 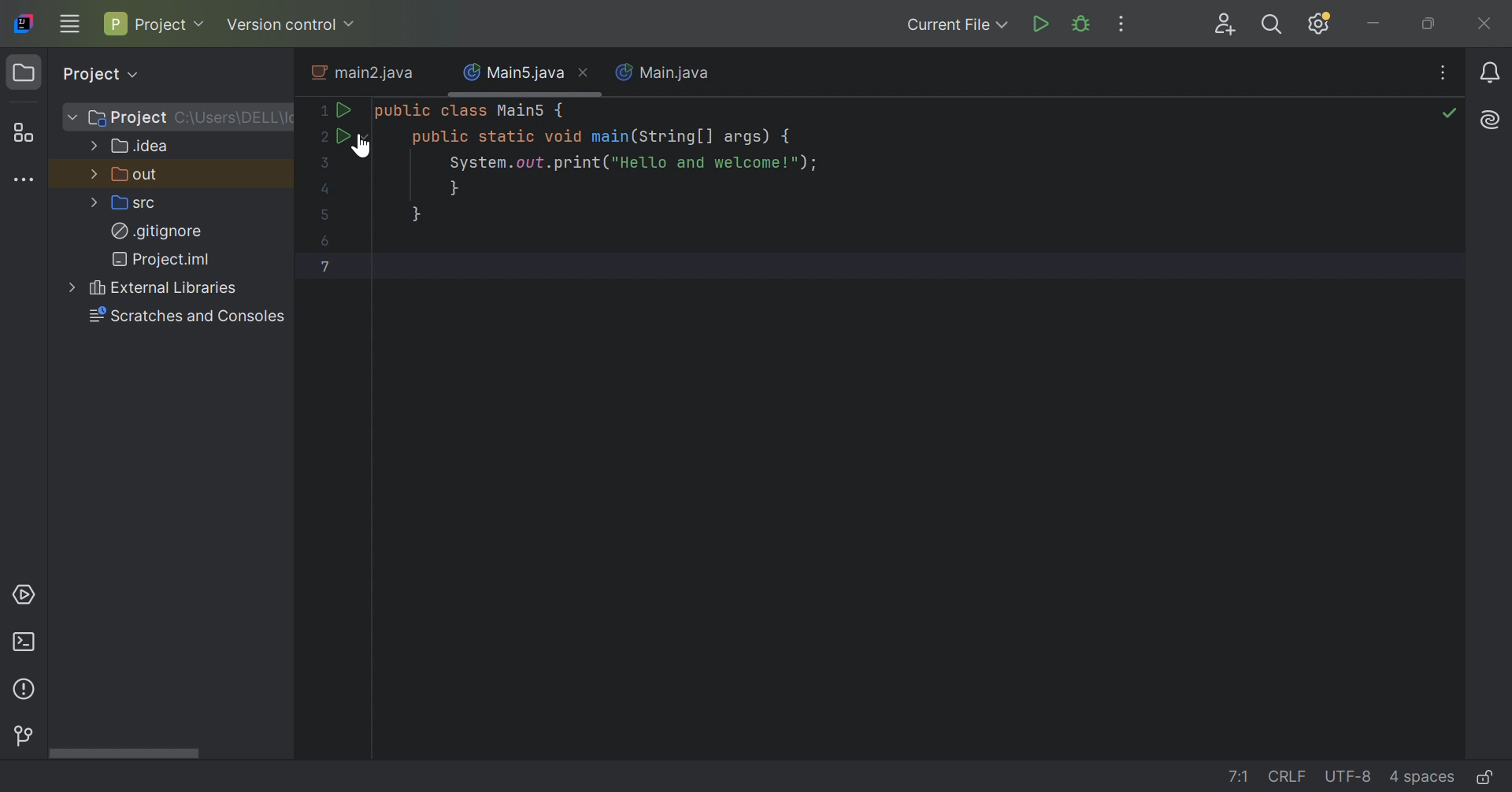 What do you see at coordinates (324, 213) in the screenshot?
I see `5` at bounding box center [324, 213].